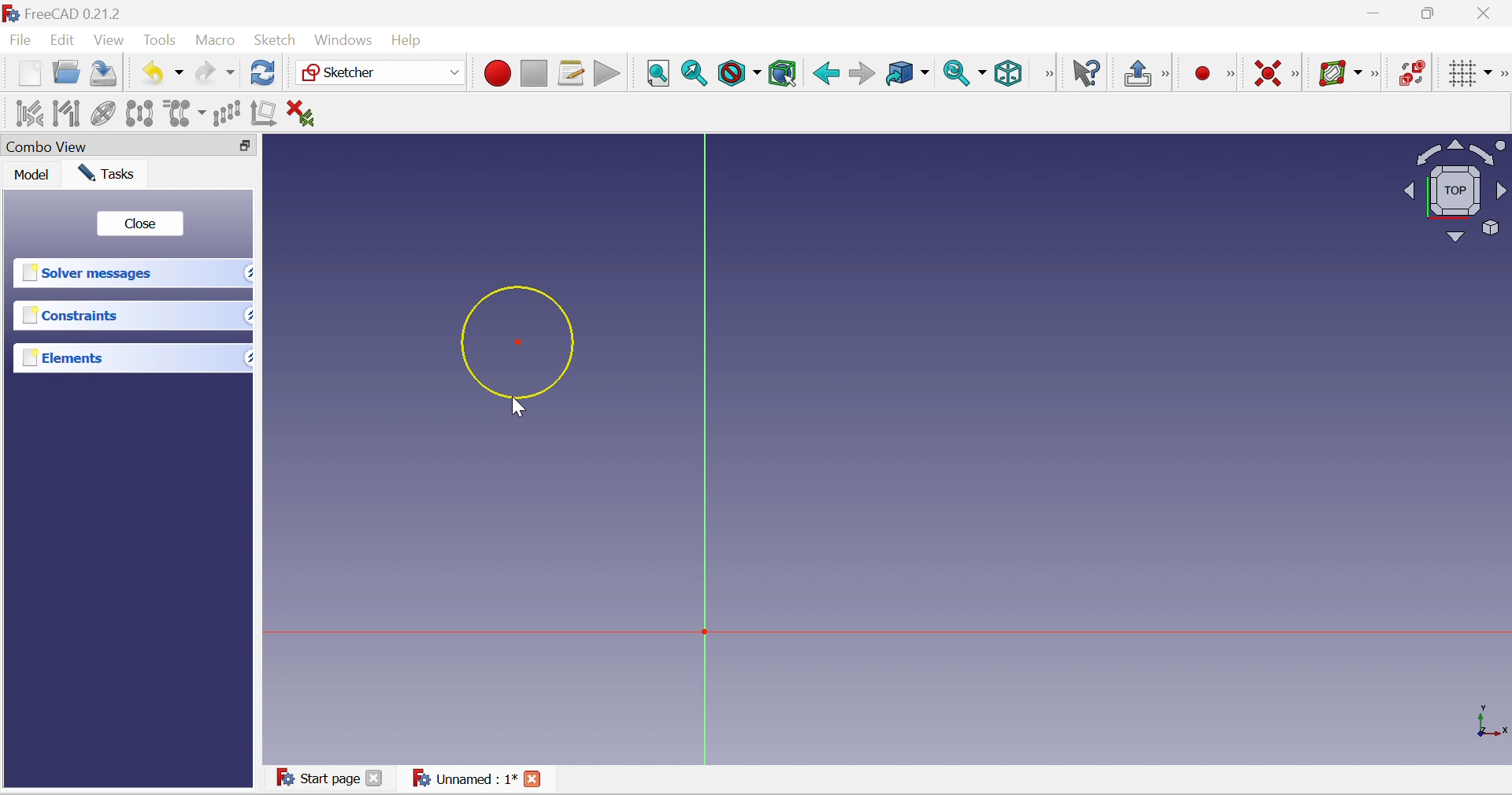 This screenshot has height=795, width=1512. Describe the element at coordinates (65, 40) in the screenshot. I see `Edit` at that location.